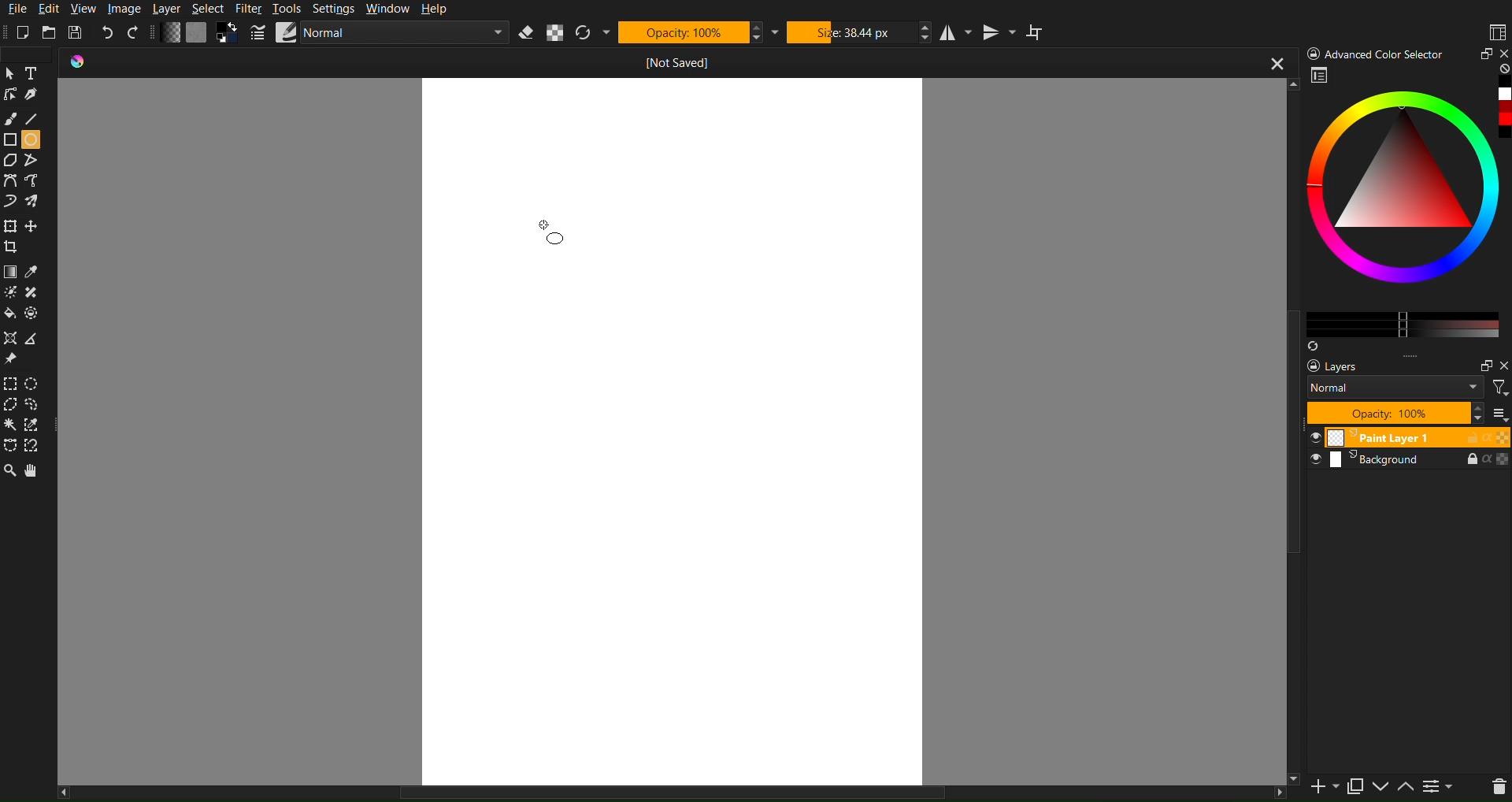  I want to click on Brush Settings, so click(380, 34).